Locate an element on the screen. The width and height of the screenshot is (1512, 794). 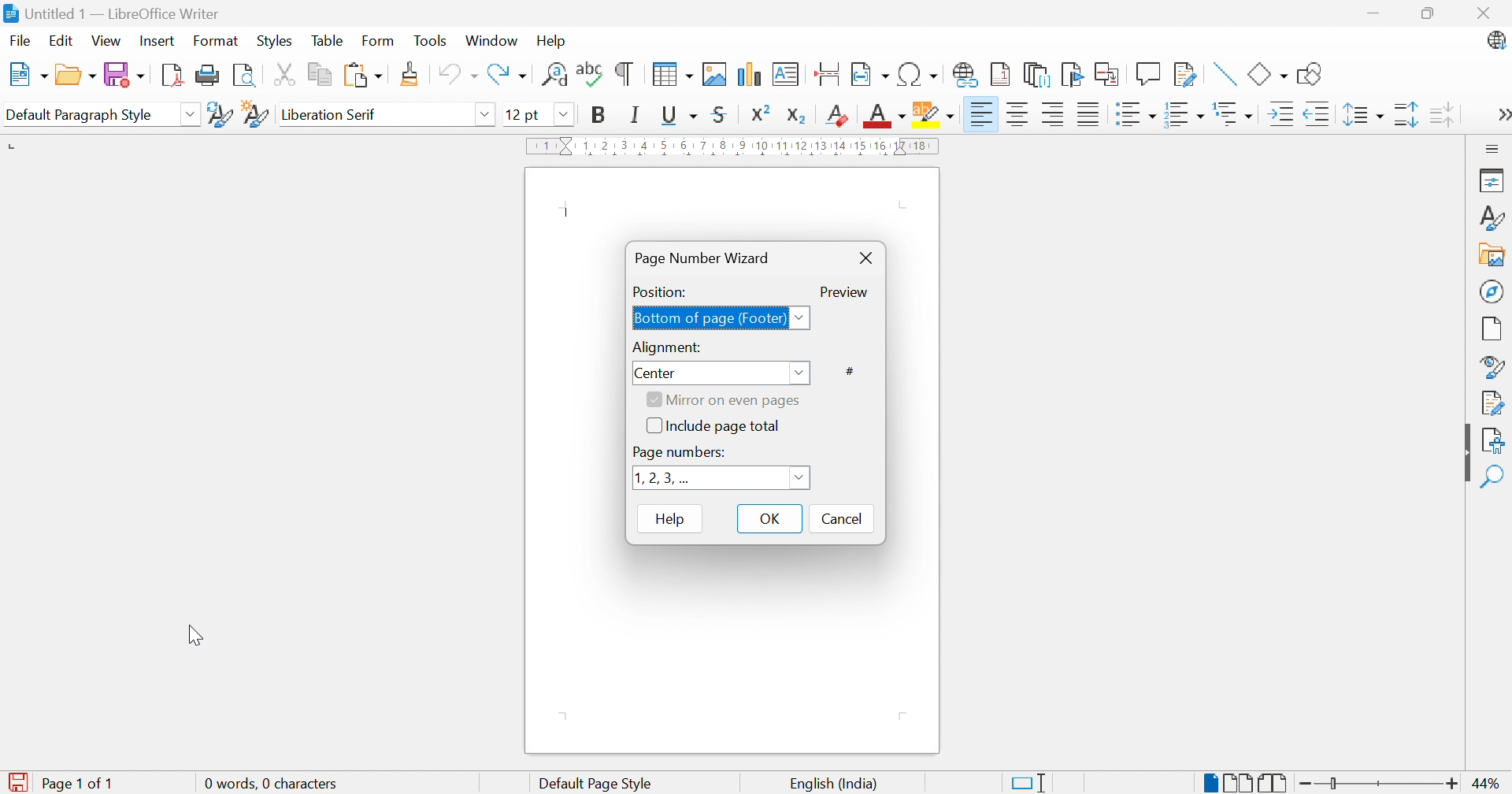
0 words, 0 characters is located at coordinates (269, 785).